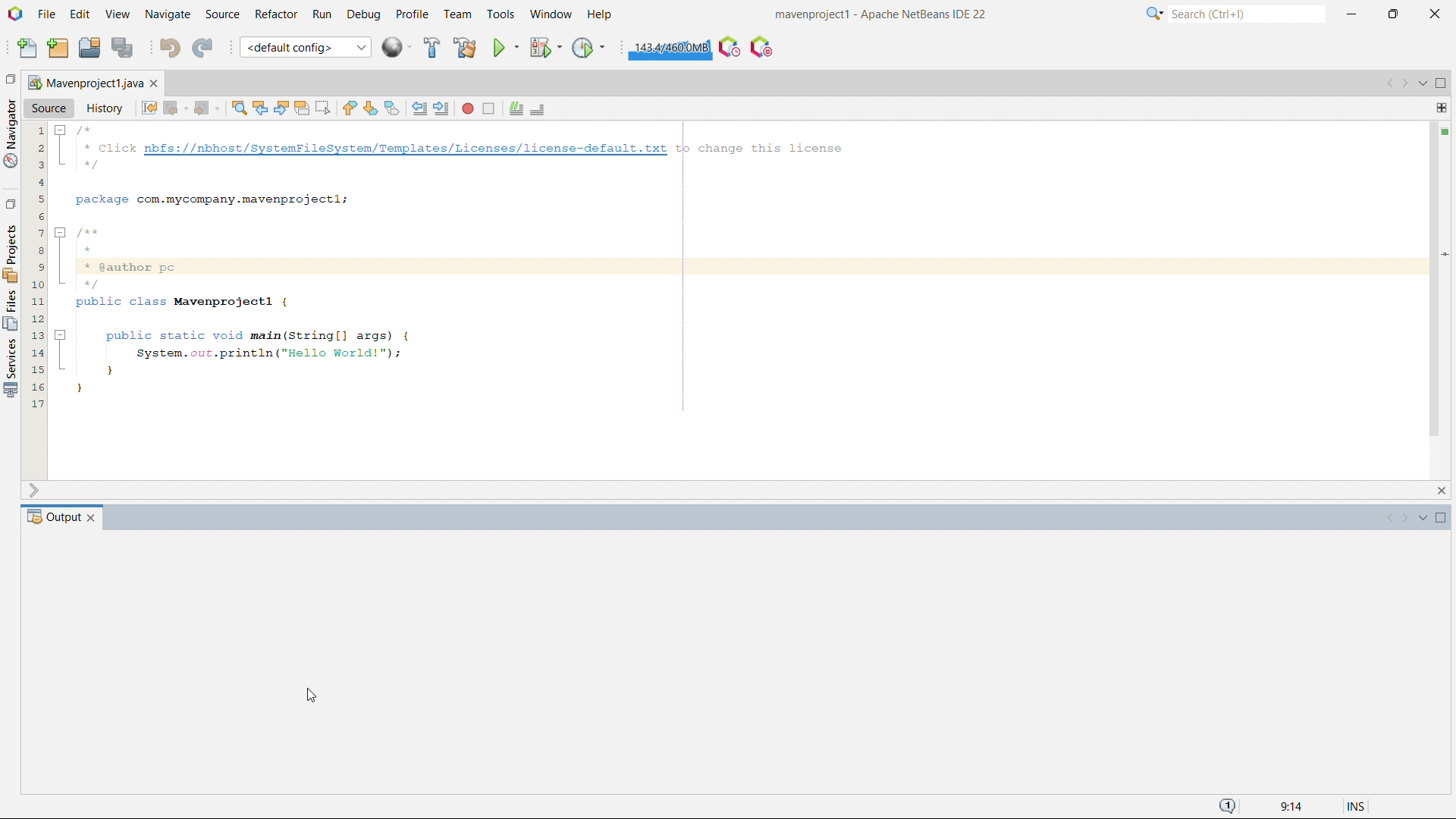  I want to click on find selection, so click(239, 109).